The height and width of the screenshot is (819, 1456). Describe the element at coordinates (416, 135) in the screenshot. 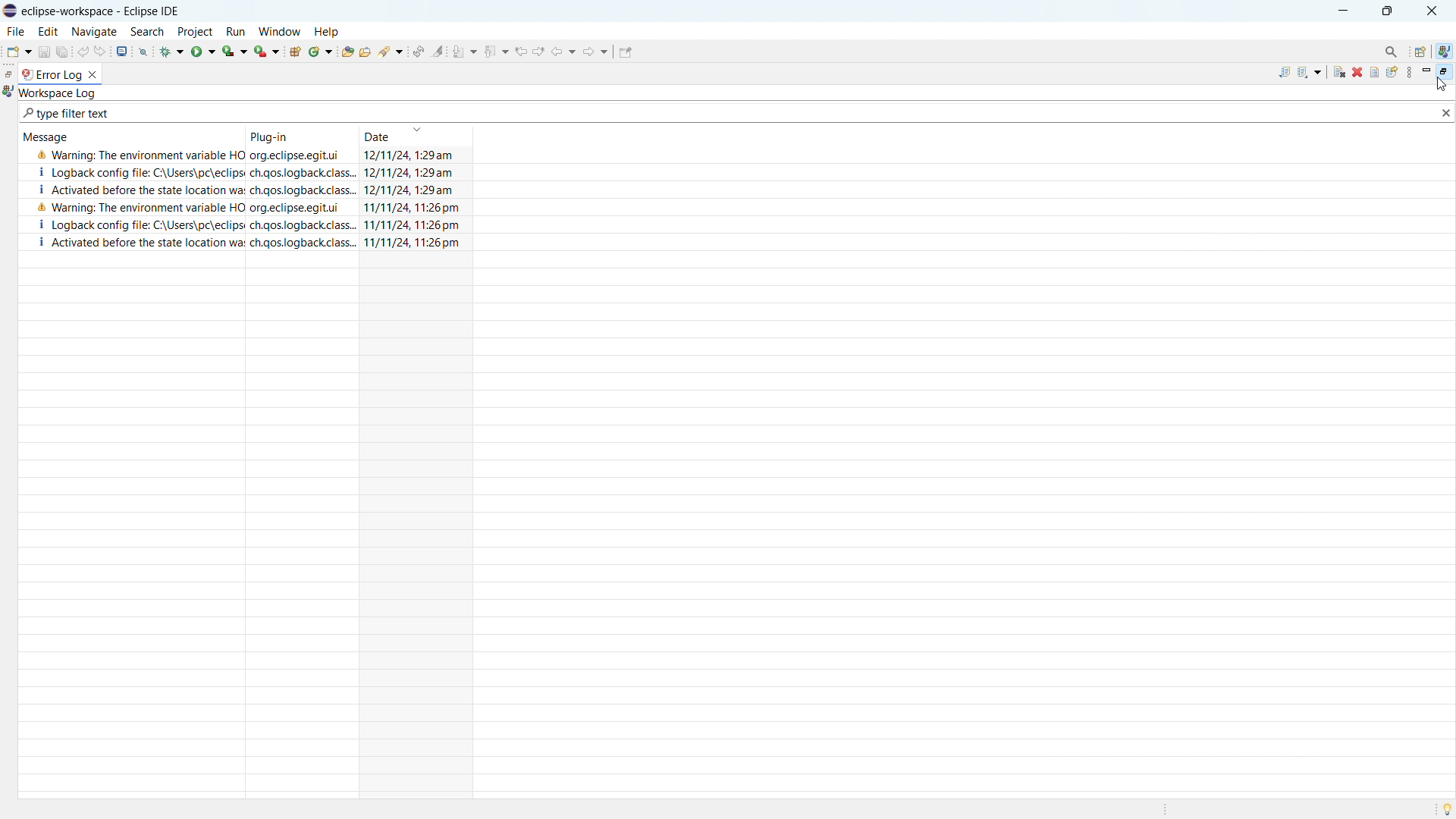

I see `date` at that location.